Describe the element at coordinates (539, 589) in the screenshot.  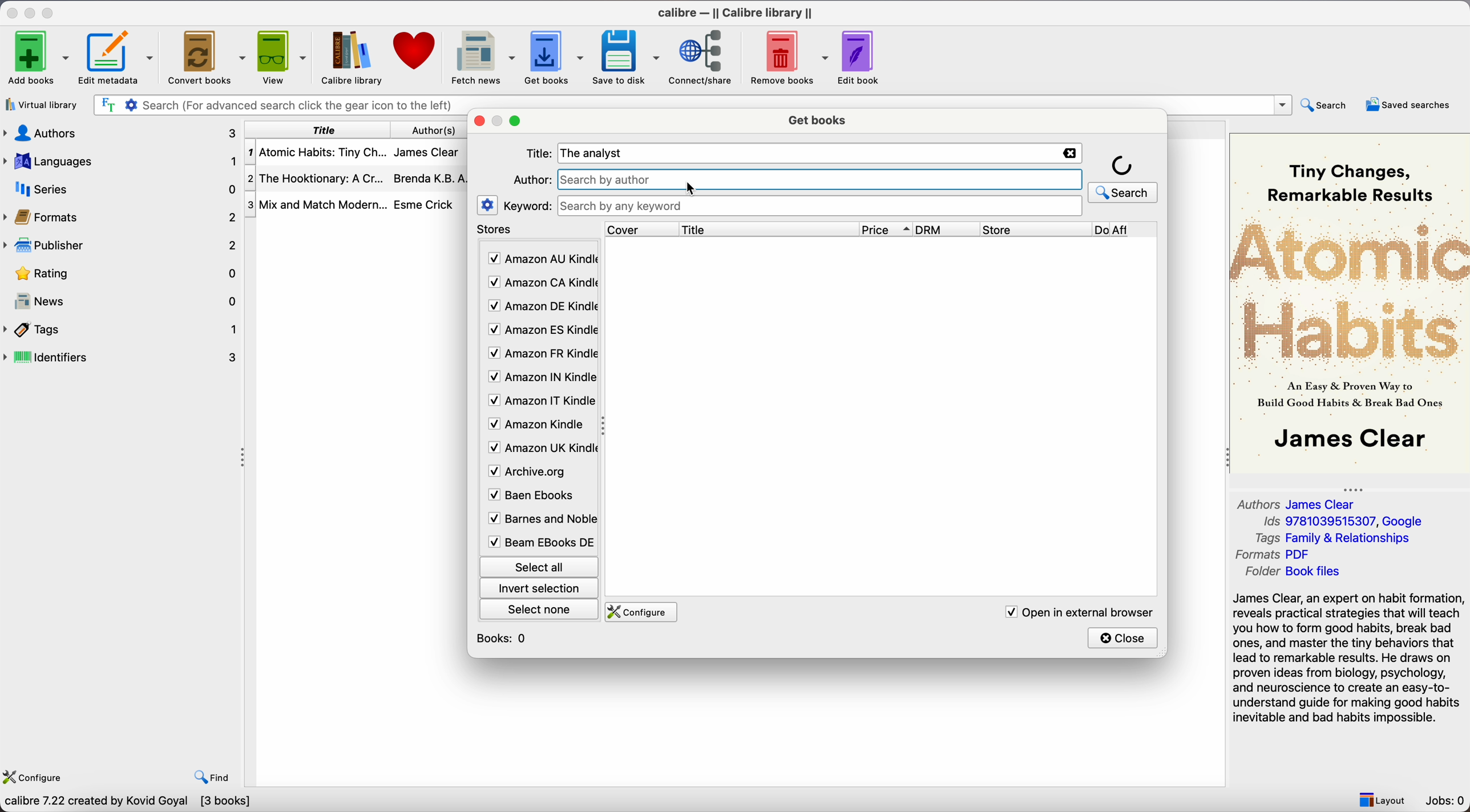
I see `invert selection` at that location.